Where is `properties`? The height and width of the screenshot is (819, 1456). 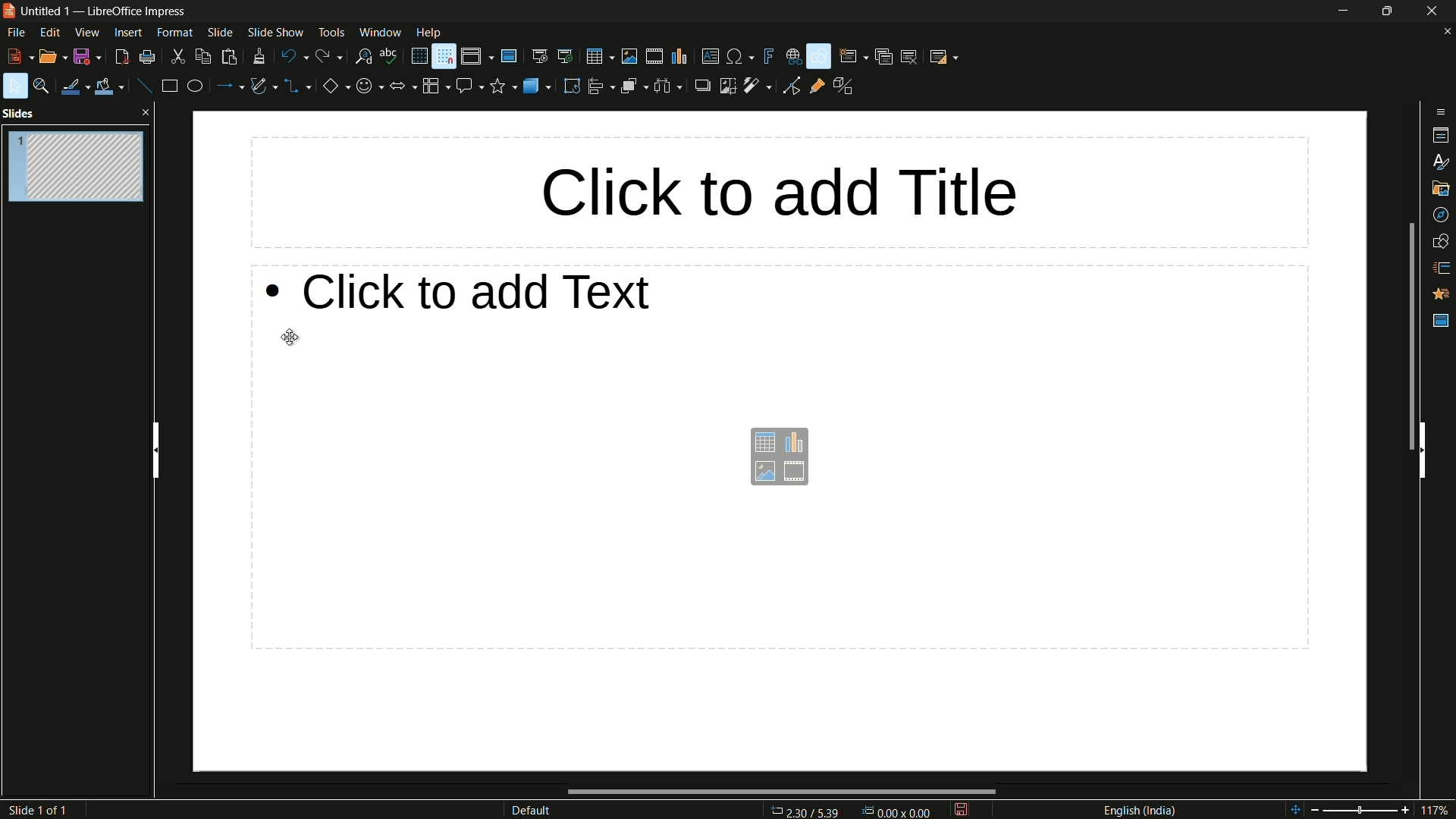
properties is located at coordinates (1439, 136).